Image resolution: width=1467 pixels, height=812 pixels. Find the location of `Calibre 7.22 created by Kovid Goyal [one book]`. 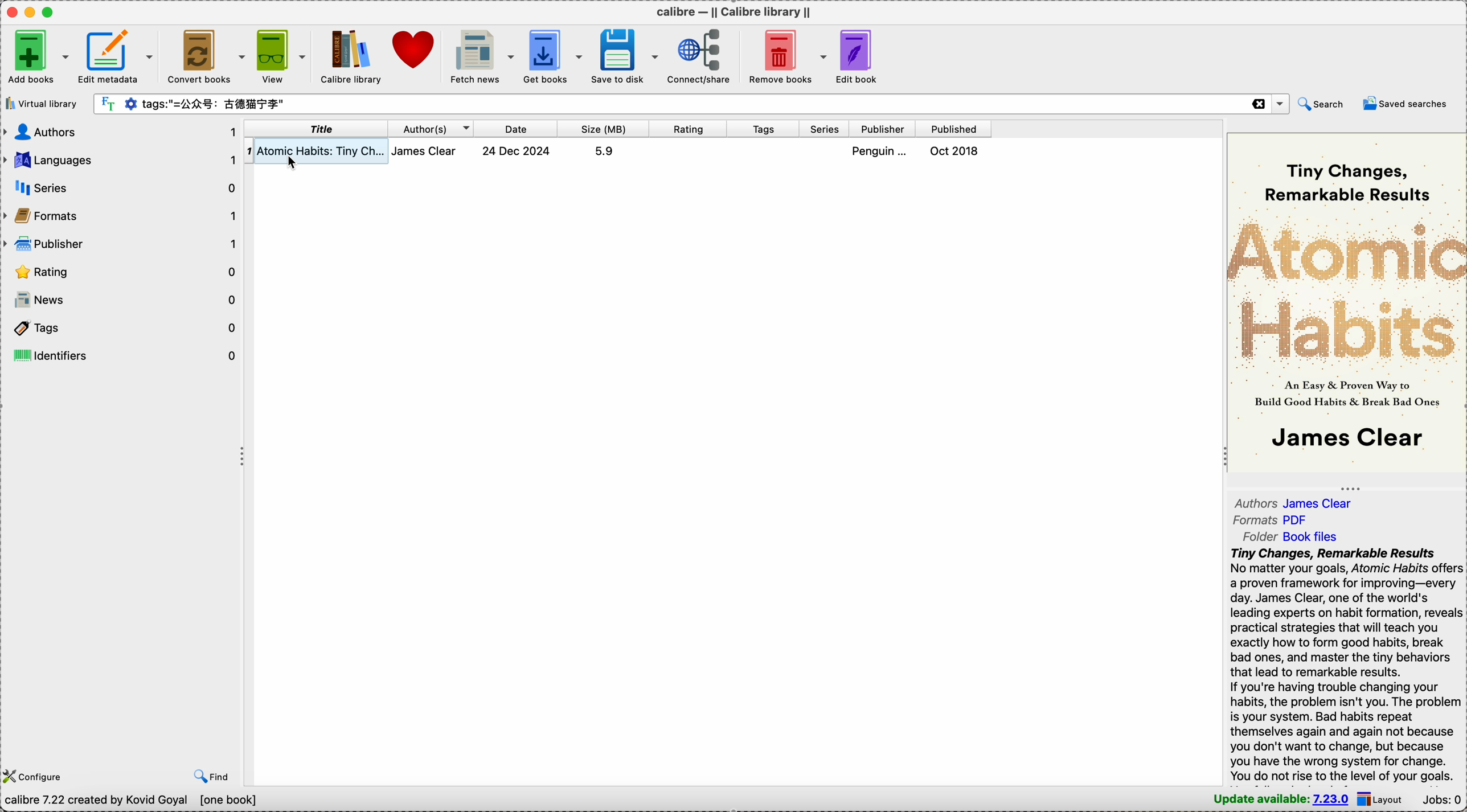

Calibre 7.22 created by Kovid Goyal [one book] is located at coordinates (128, 801).